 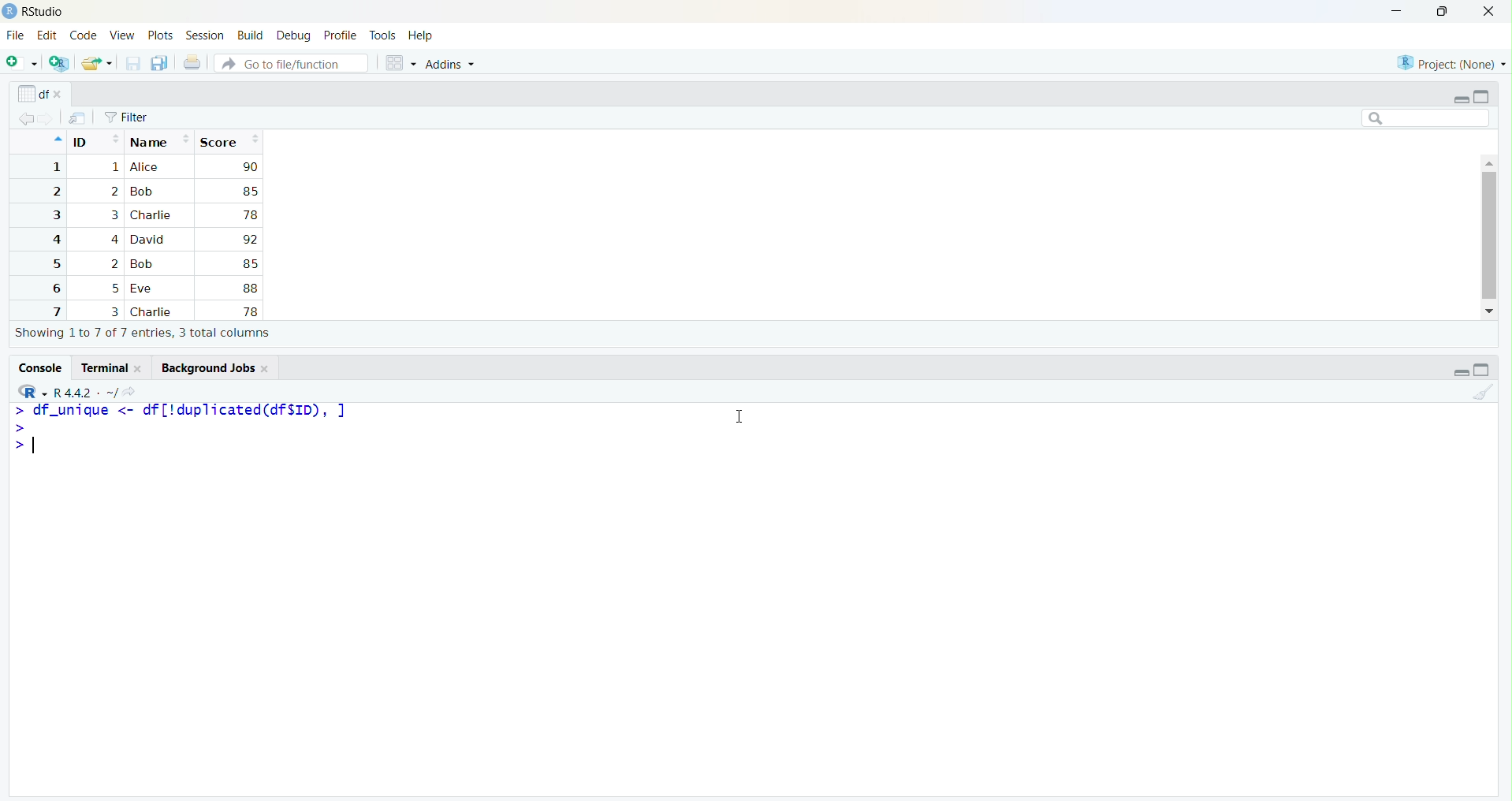 I want to click on close, so click(x=141, y=368).